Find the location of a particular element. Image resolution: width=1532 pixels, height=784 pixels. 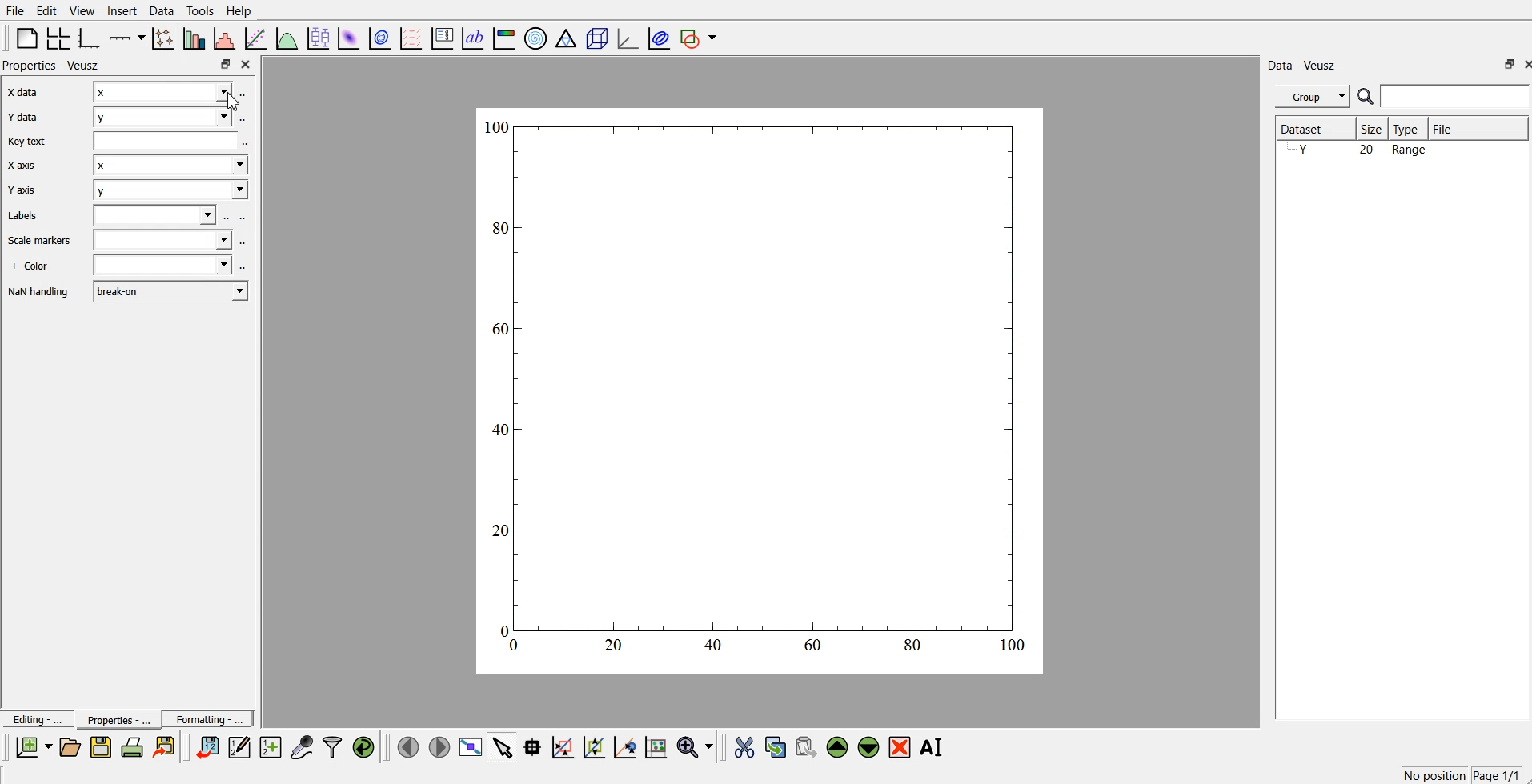

Move to previous page is located at coordinates (406, 746).